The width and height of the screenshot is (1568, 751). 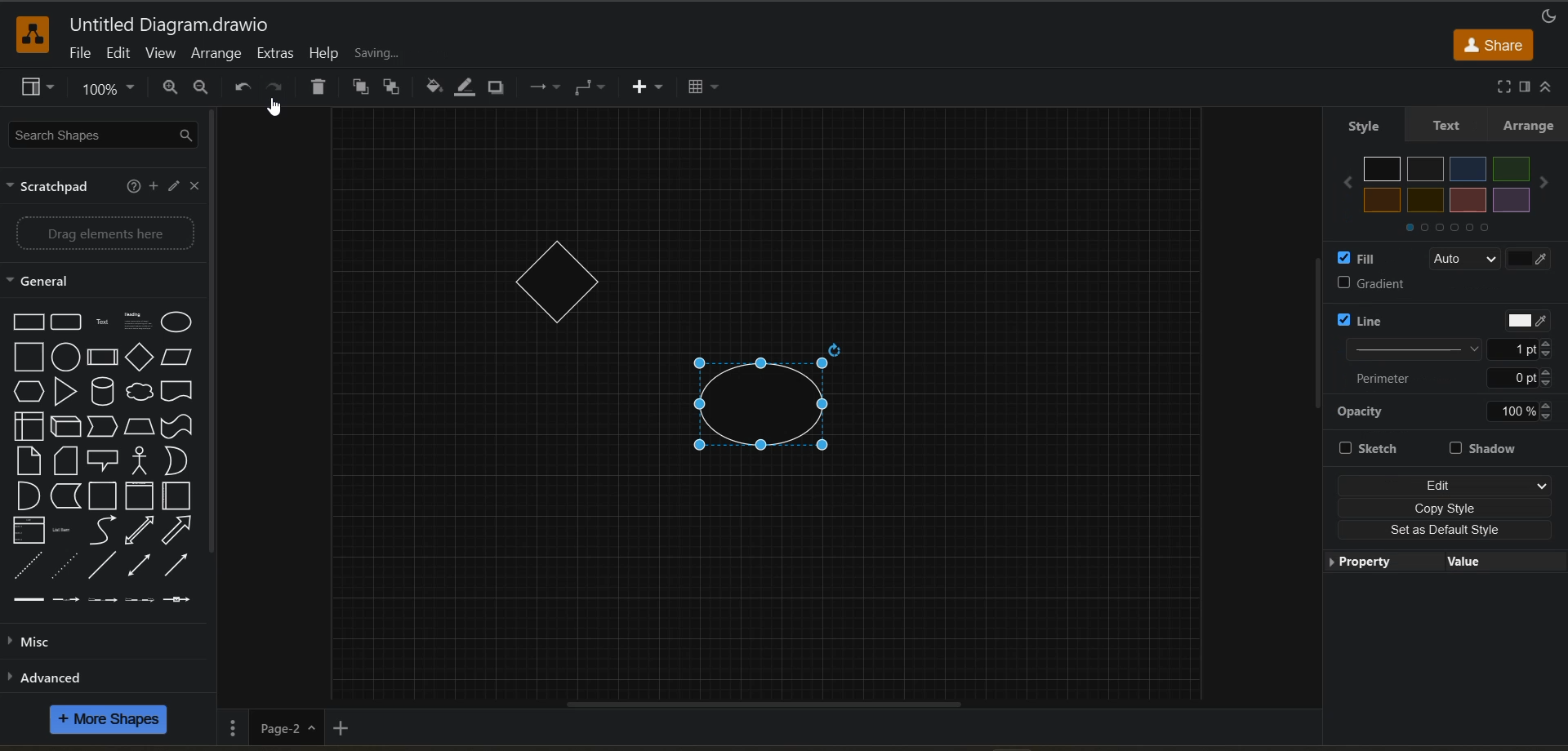 I want to click on insert page, so click(x=339, y=728).